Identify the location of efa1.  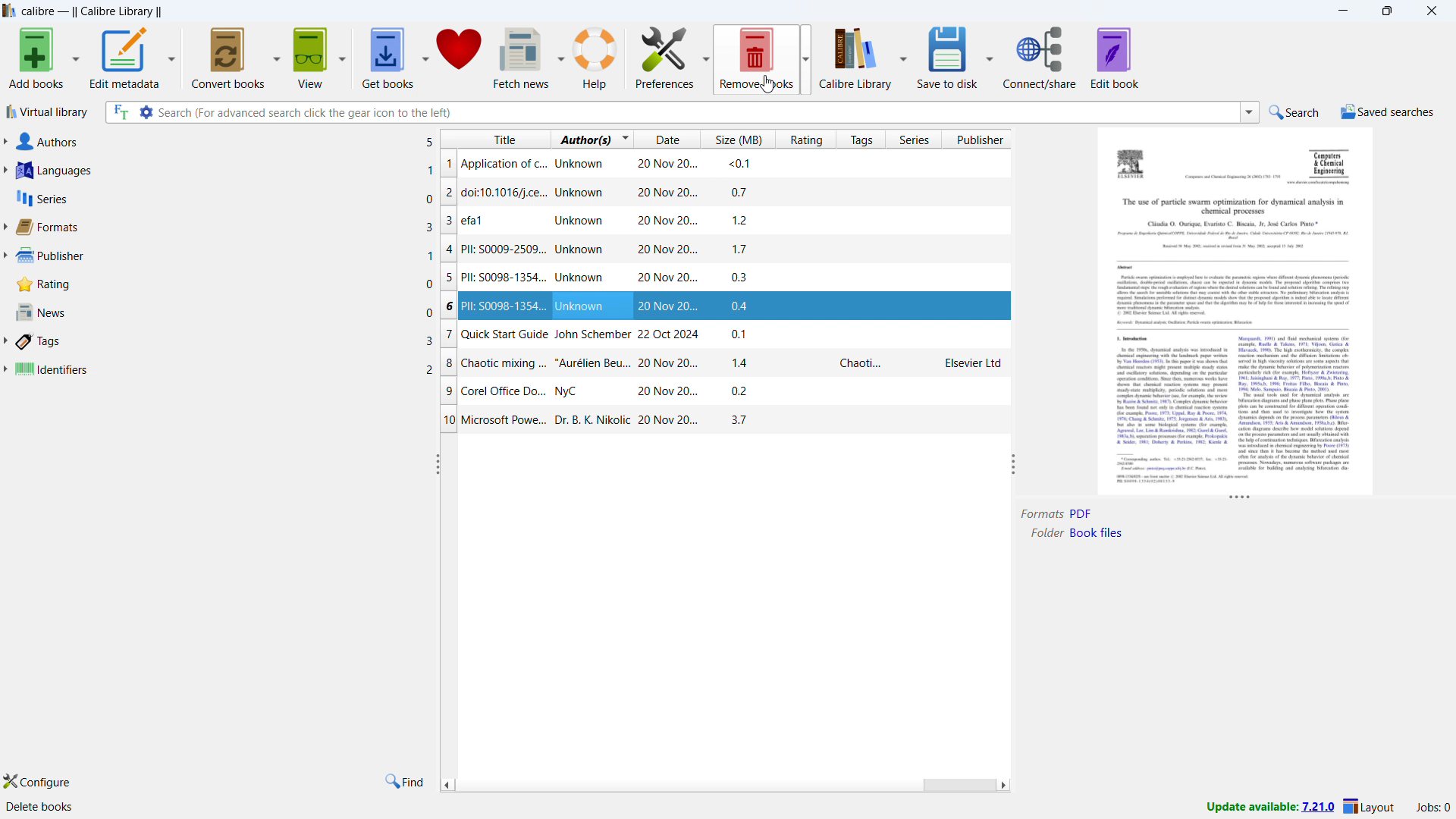
(731, 222).